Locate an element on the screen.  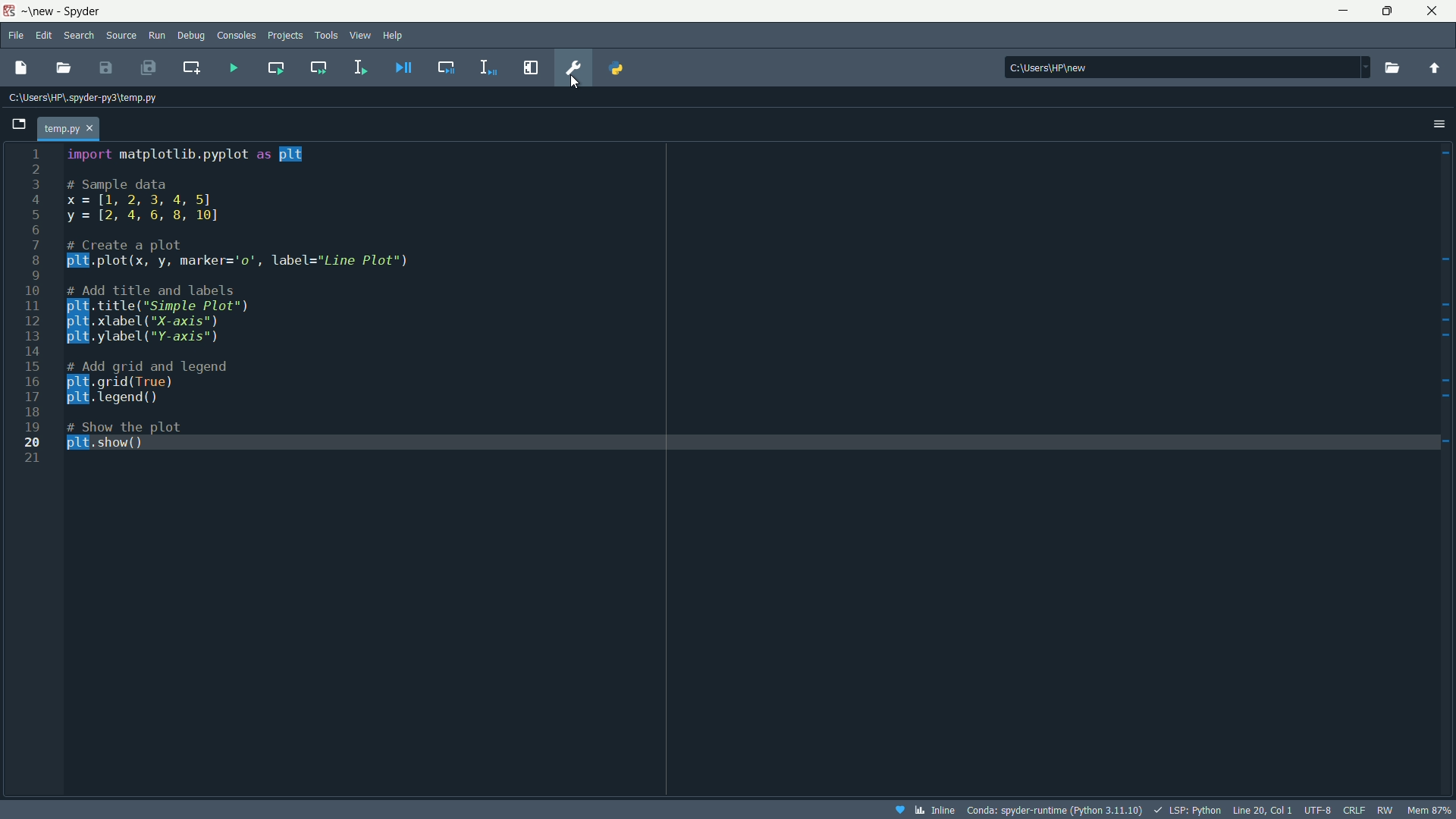
debug file is located at coordinates (404, 67).